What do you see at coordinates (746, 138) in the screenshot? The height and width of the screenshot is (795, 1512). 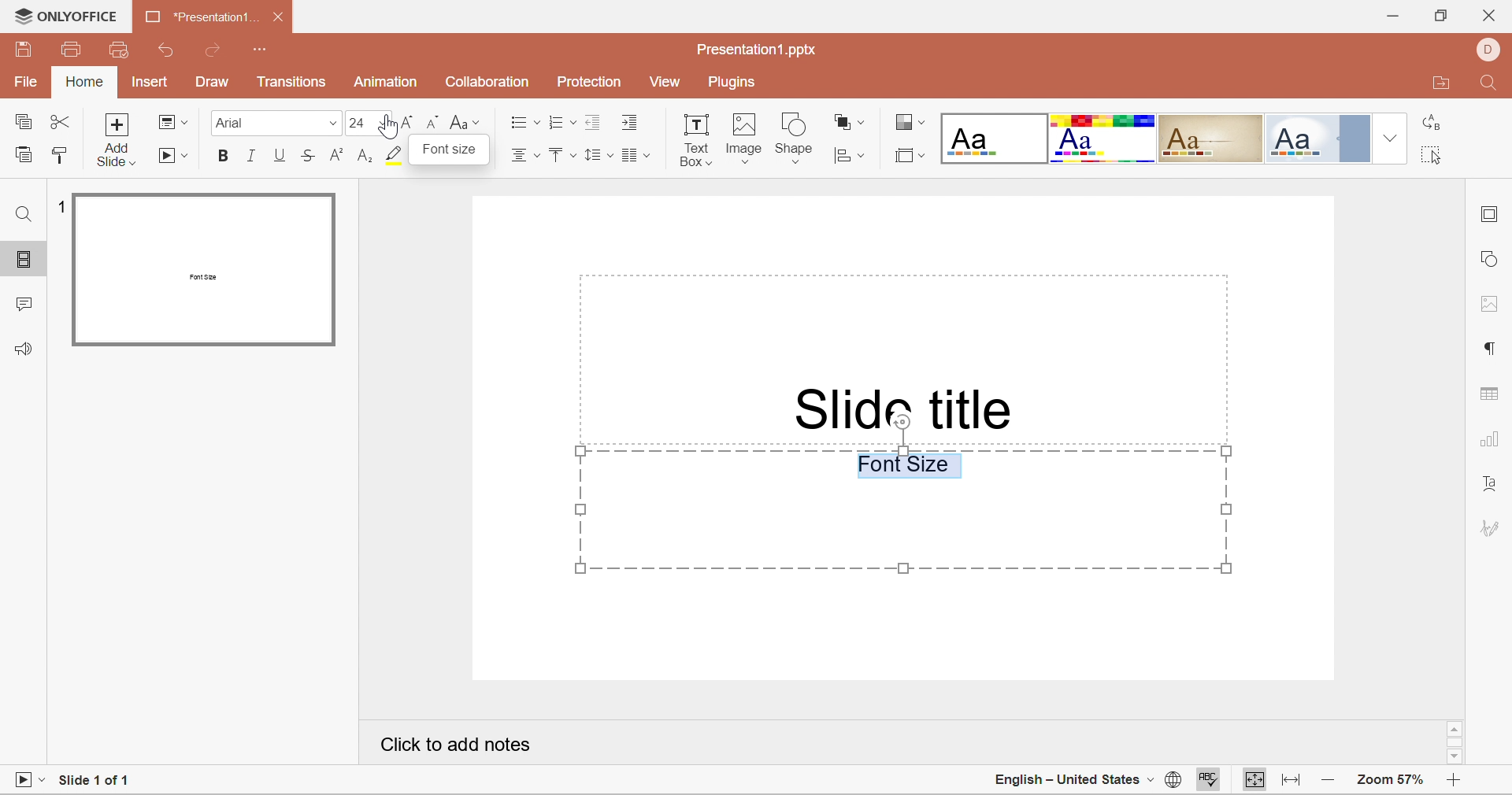 I see `Image` at bounding box center [746, 138].